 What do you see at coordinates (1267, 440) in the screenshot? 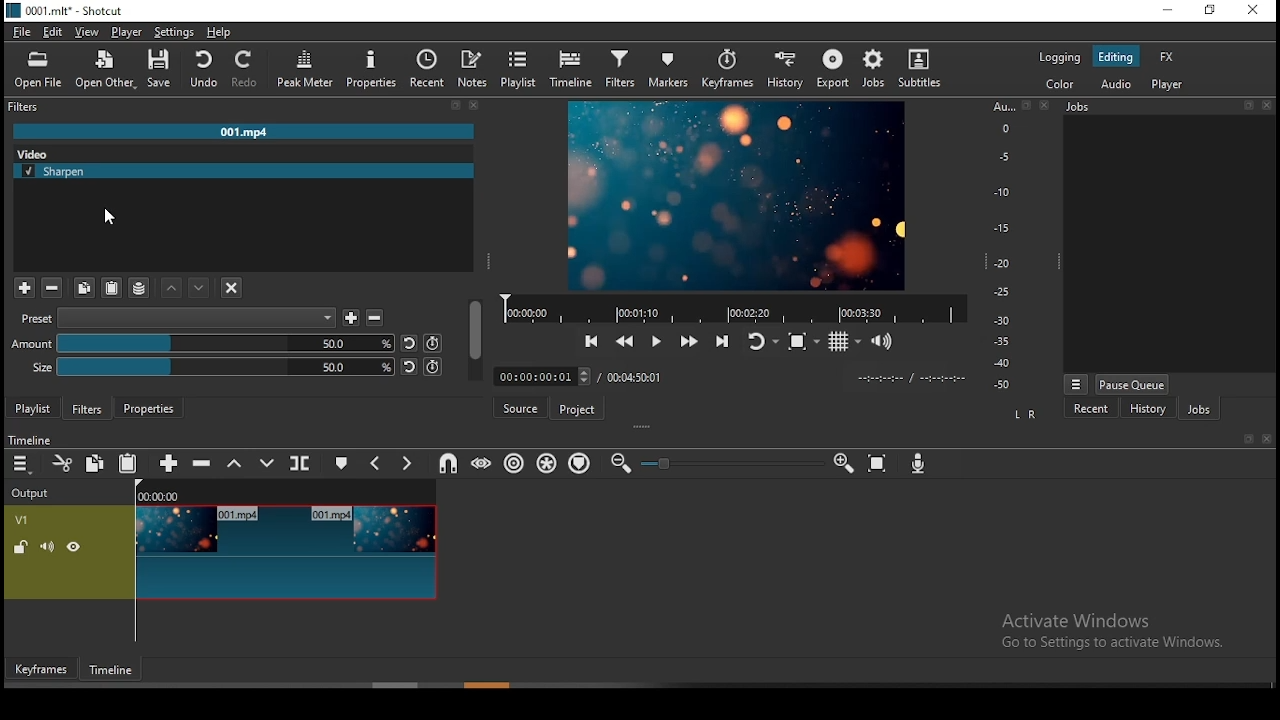
I see `close` at bounding box center [1267, 440].